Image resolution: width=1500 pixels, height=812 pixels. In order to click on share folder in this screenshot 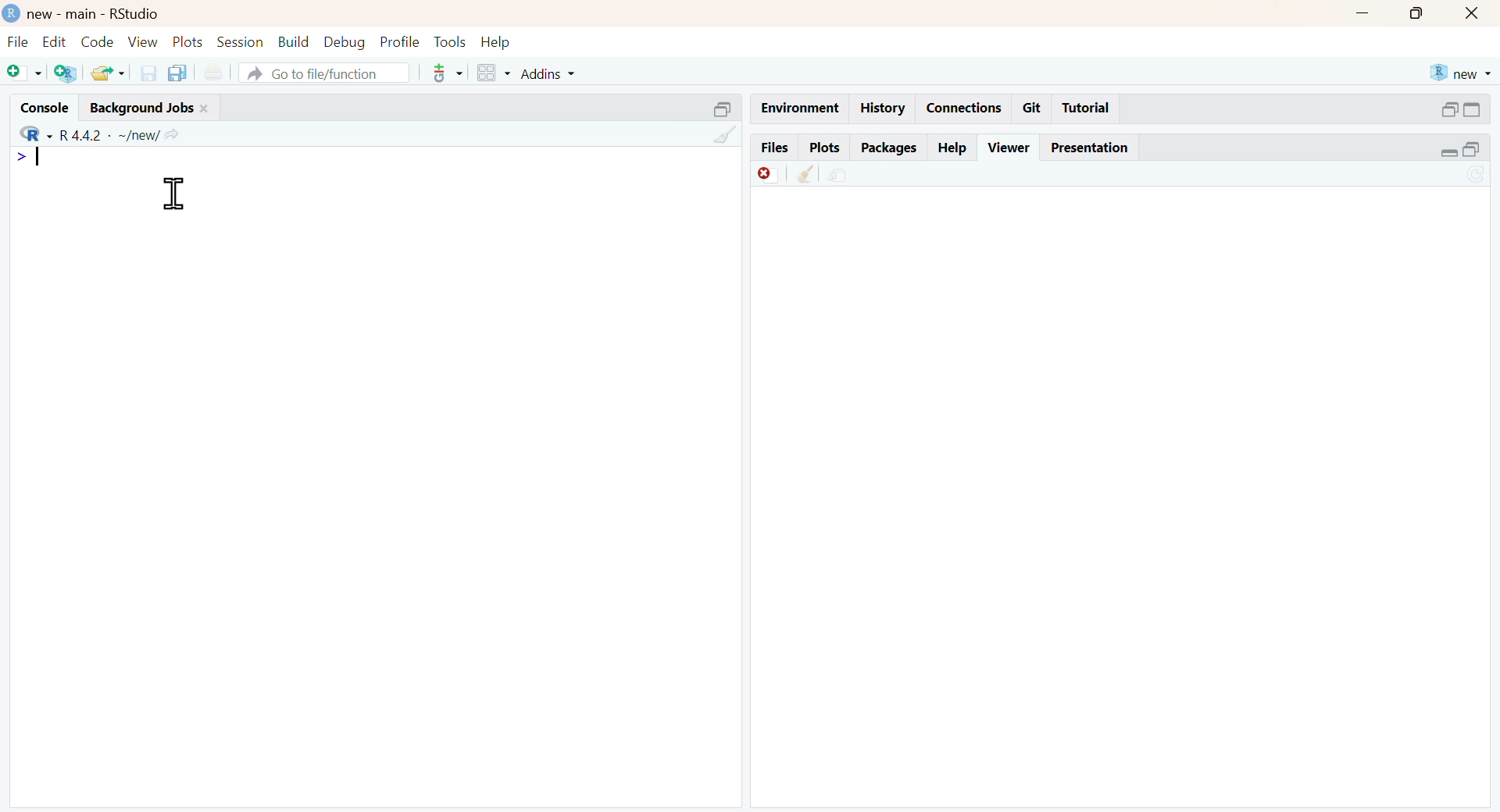, I will do `click(110, 73)`.